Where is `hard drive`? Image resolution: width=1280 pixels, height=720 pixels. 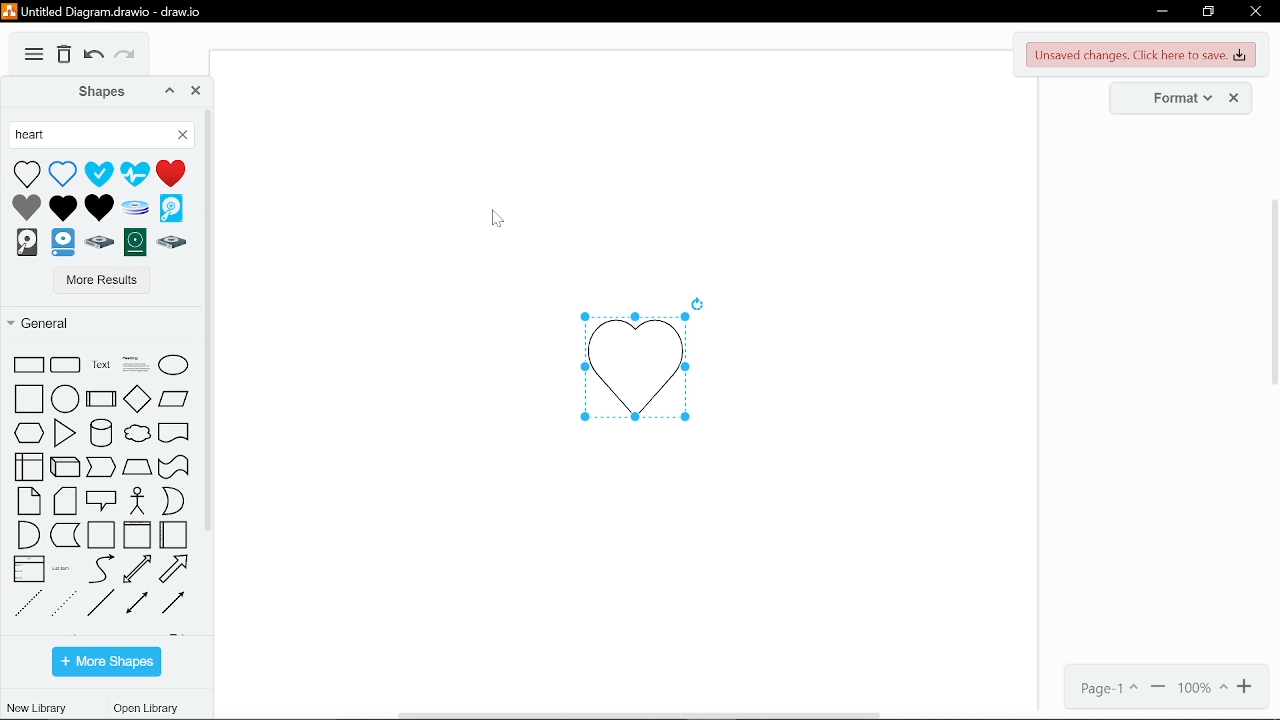
hard drive is located at coordinates (61, 244).